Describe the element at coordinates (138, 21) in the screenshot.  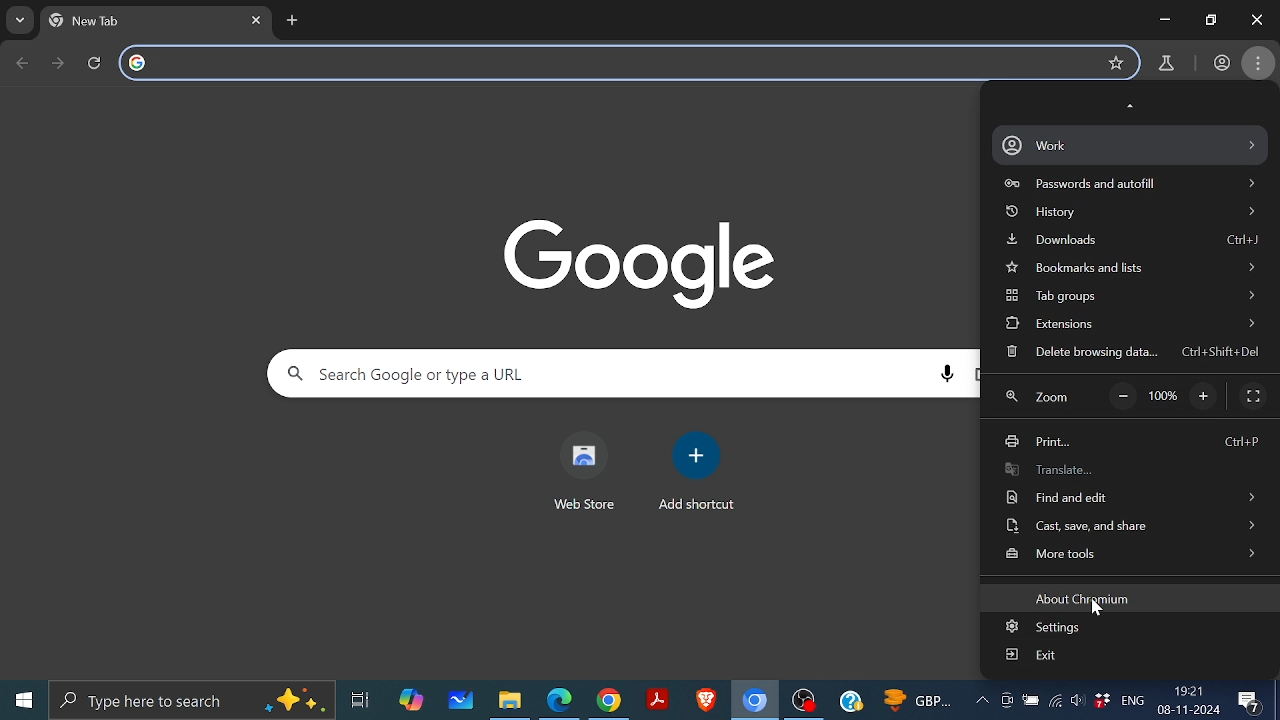
I see `Current tab` at that location.